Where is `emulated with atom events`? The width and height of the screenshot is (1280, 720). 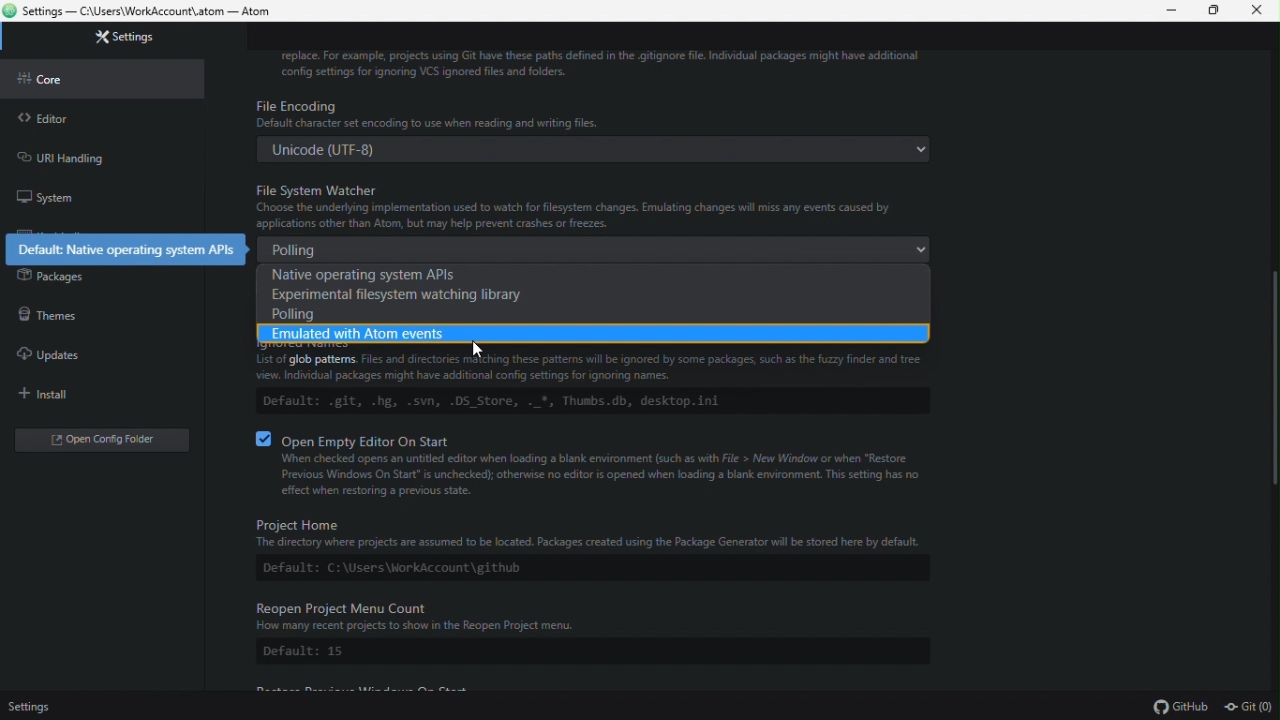 emulated with atom events is located at coordinates (586, 335).